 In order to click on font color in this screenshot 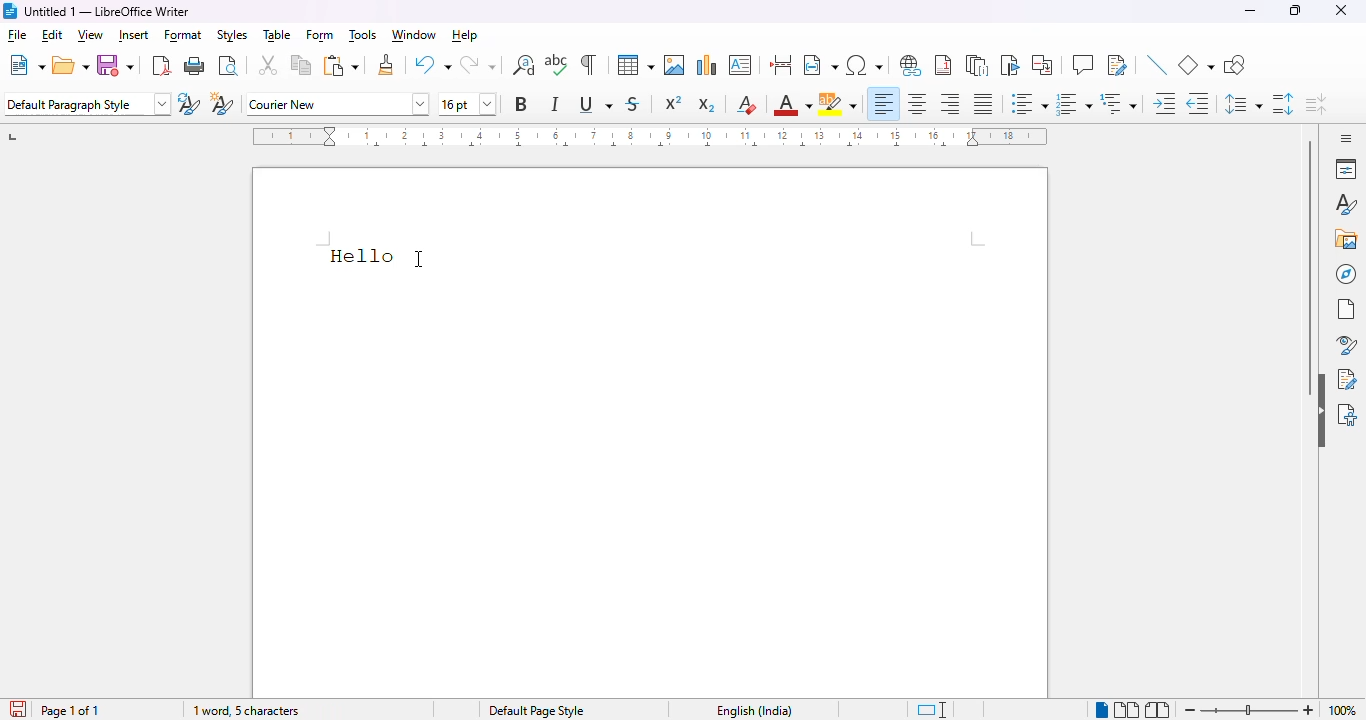, I will do `click(793, 104)`.